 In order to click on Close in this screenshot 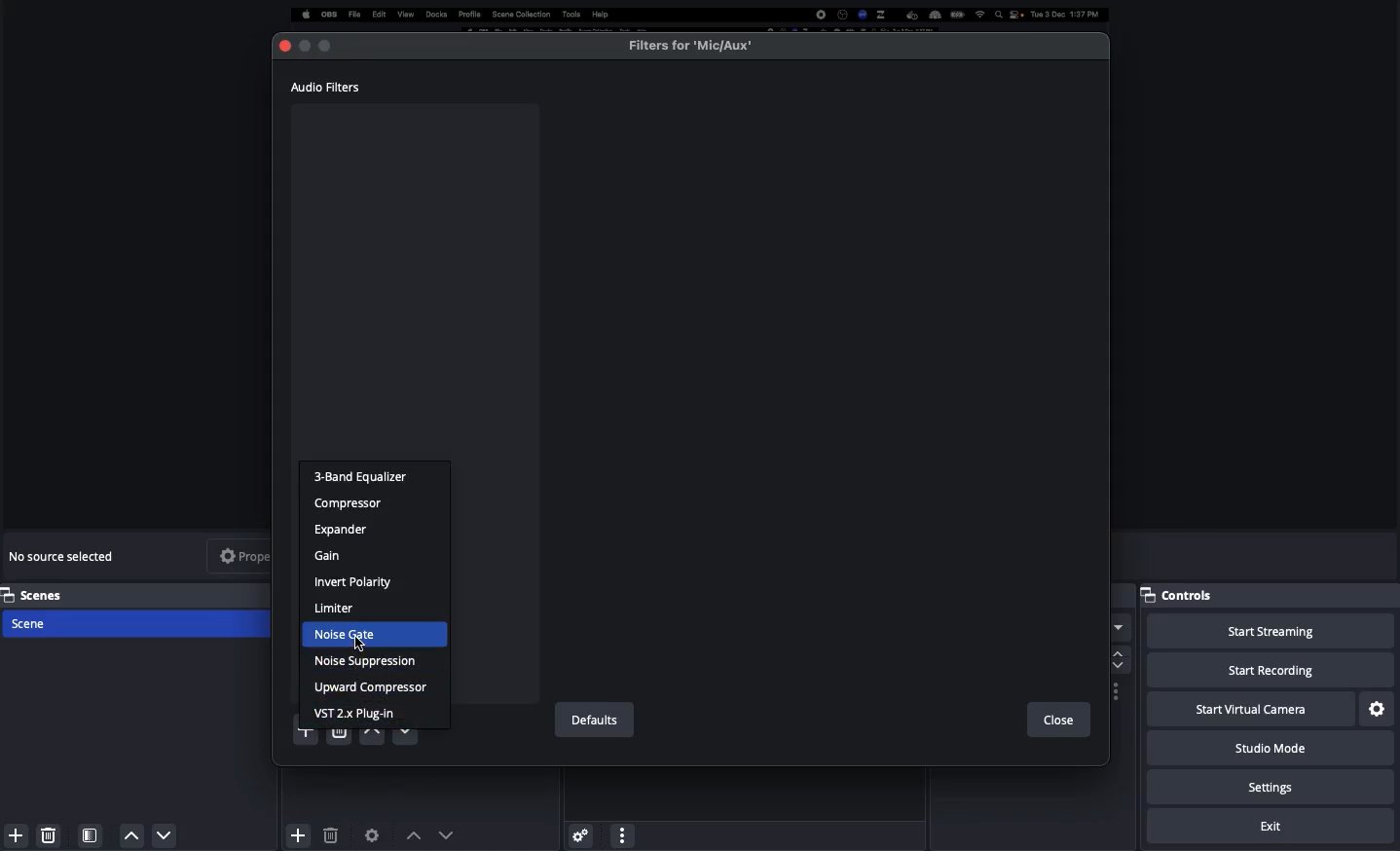, I will do `click(287, 46)`.